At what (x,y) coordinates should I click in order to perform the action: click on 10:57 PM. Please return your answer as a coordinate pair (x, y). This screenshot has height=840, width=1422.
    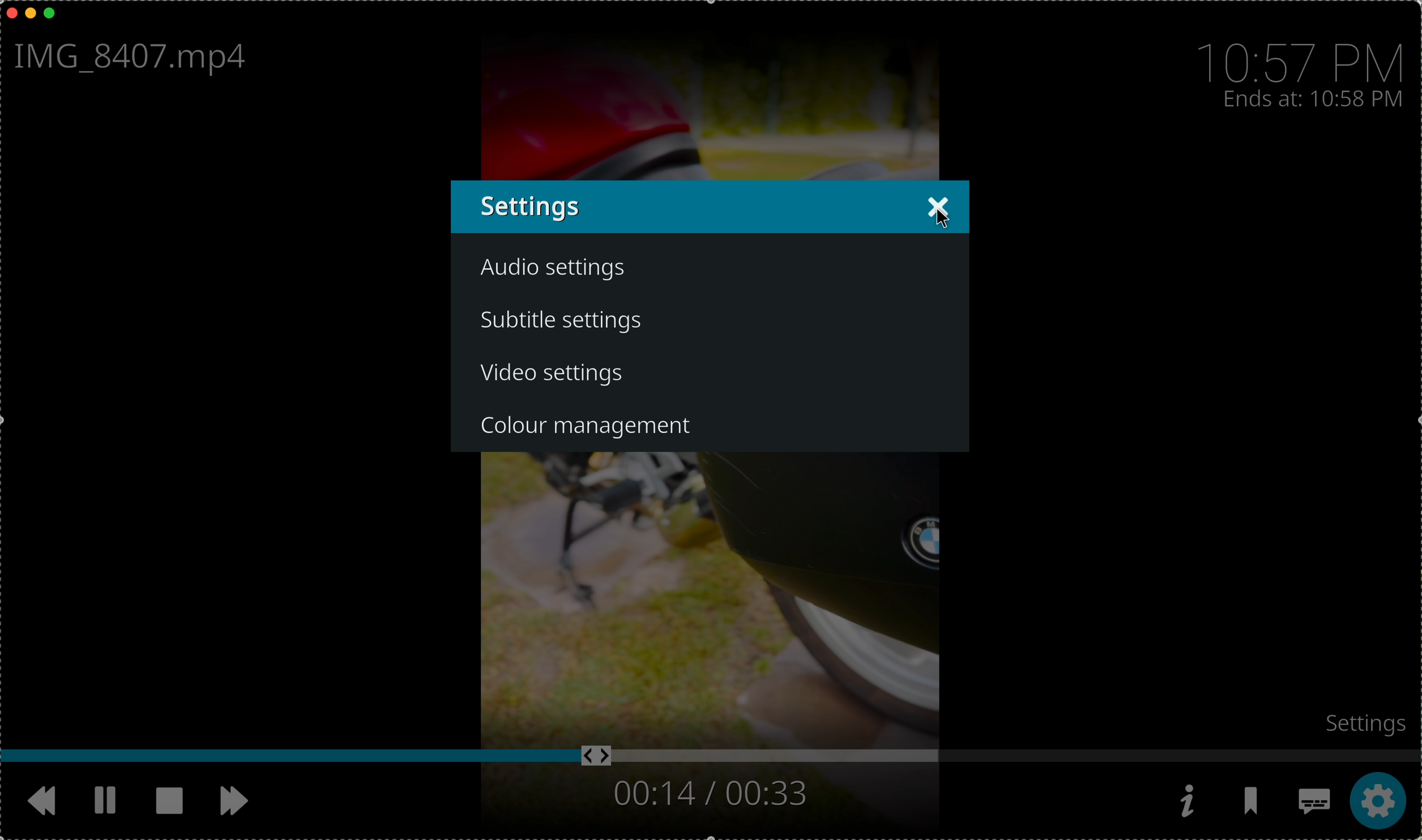
    Looking at the image, I should click on (1305, 54).